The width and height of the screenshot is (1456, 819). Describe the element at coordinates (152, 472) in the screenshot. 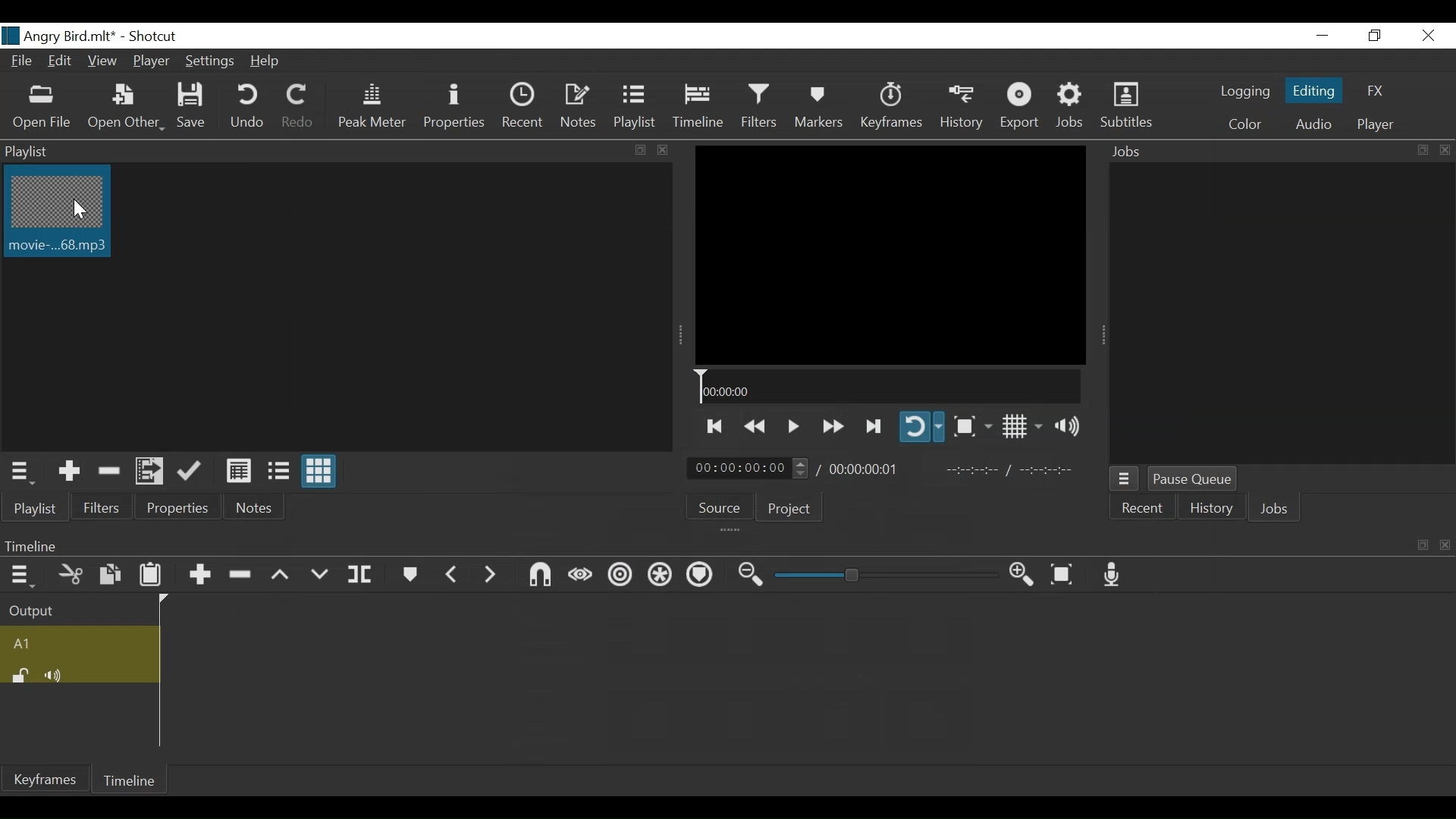

I see `Add file to the playlist` at that location.